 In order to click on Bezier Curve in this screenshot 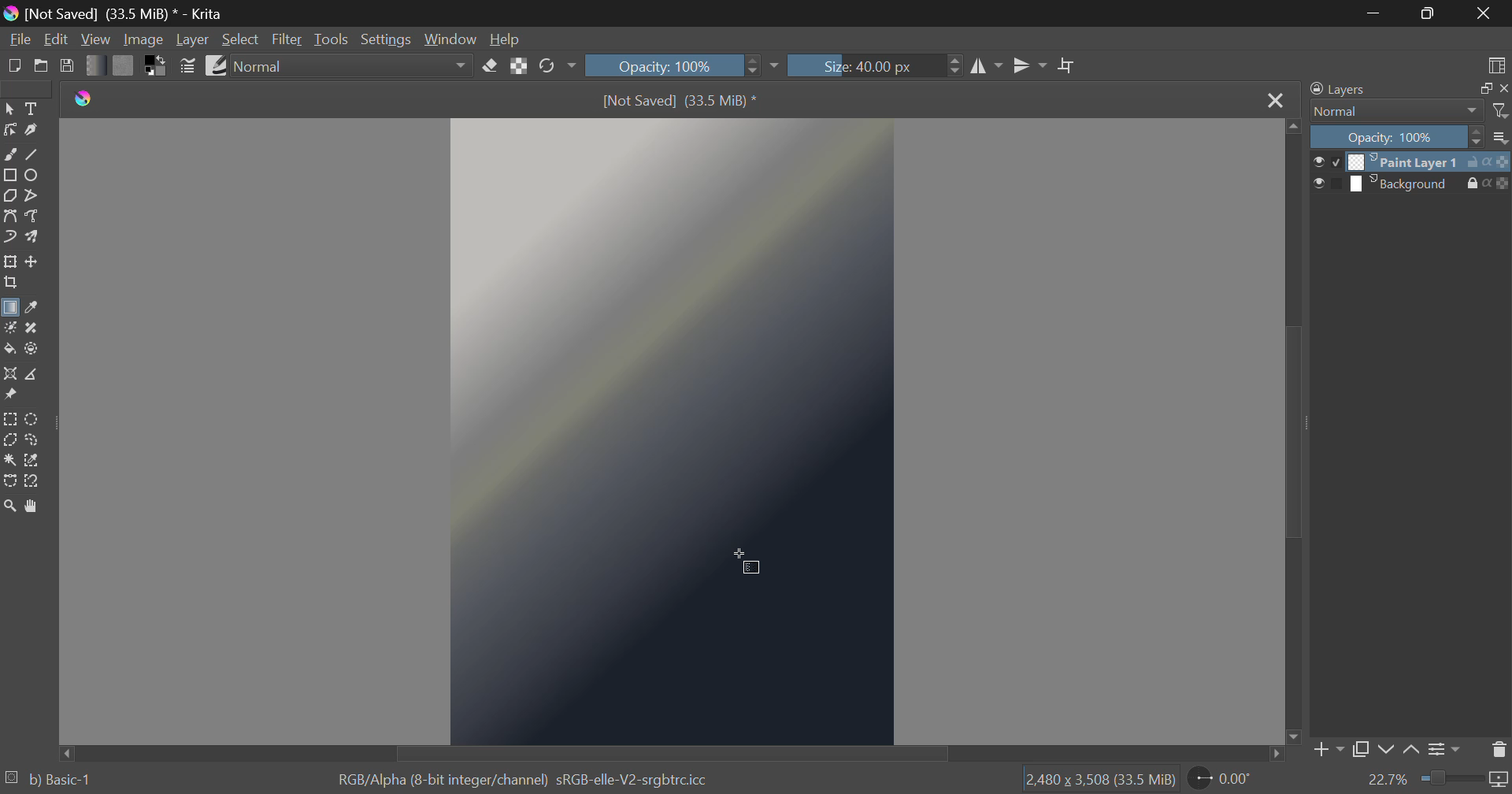, I will do `click(9, 216)`.